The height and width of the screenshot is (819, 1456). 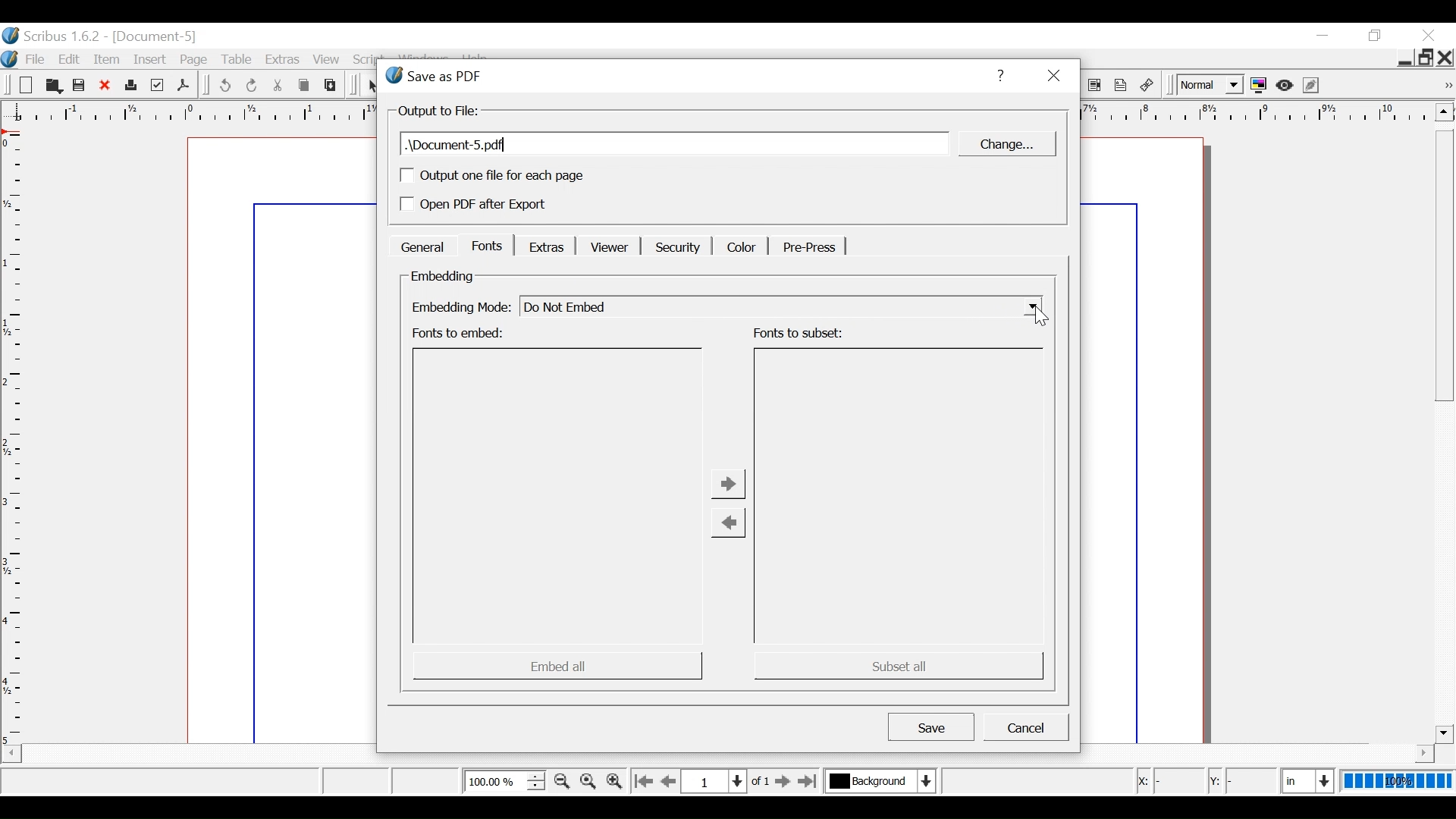 What do you see at coordinates (1157, 439) in the screenshot?
I see `Document` at bounding box center [1157, 439].